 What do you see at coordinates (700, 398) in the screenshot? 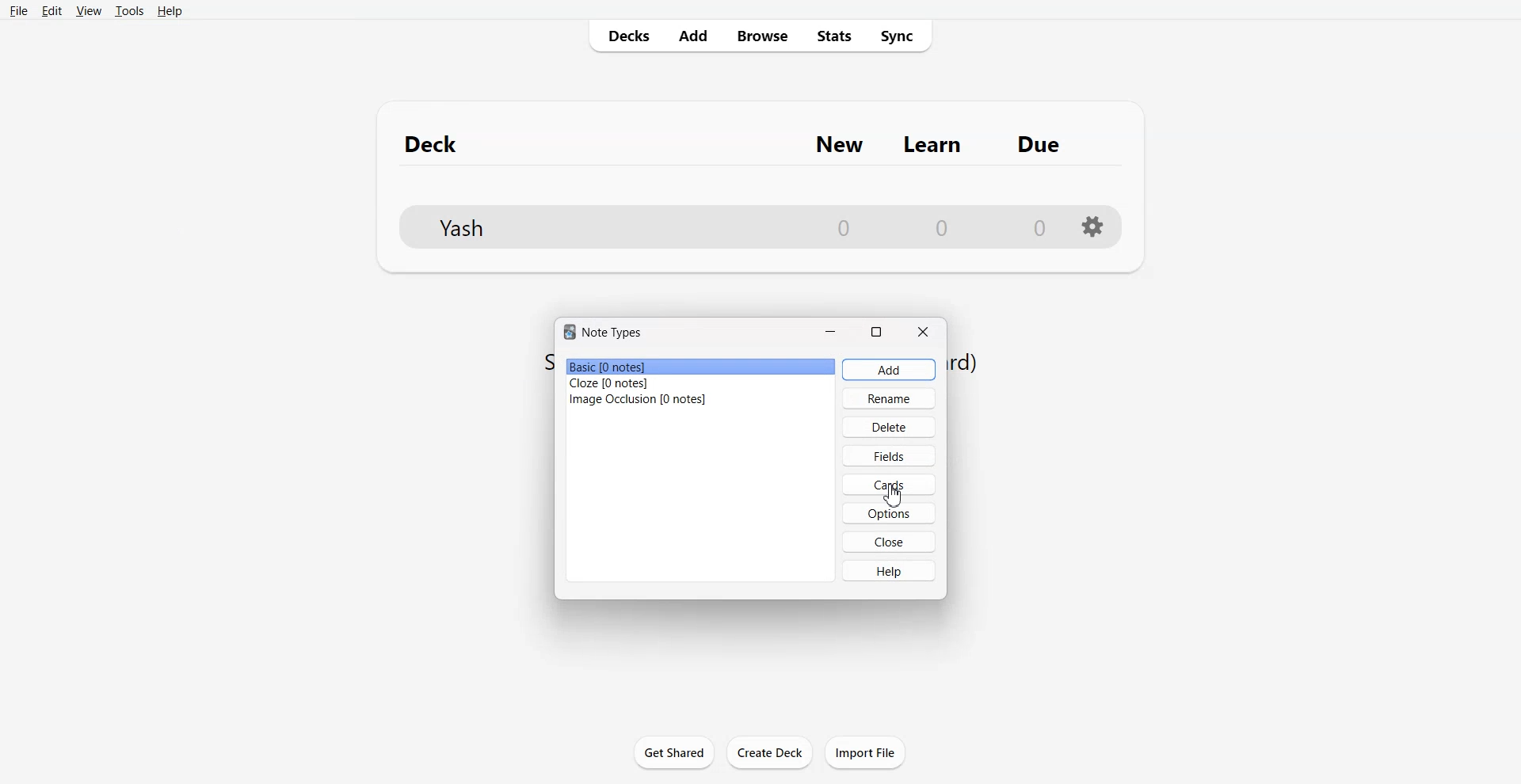
I see `Image Occlusion` at bounding box center [700, 398].